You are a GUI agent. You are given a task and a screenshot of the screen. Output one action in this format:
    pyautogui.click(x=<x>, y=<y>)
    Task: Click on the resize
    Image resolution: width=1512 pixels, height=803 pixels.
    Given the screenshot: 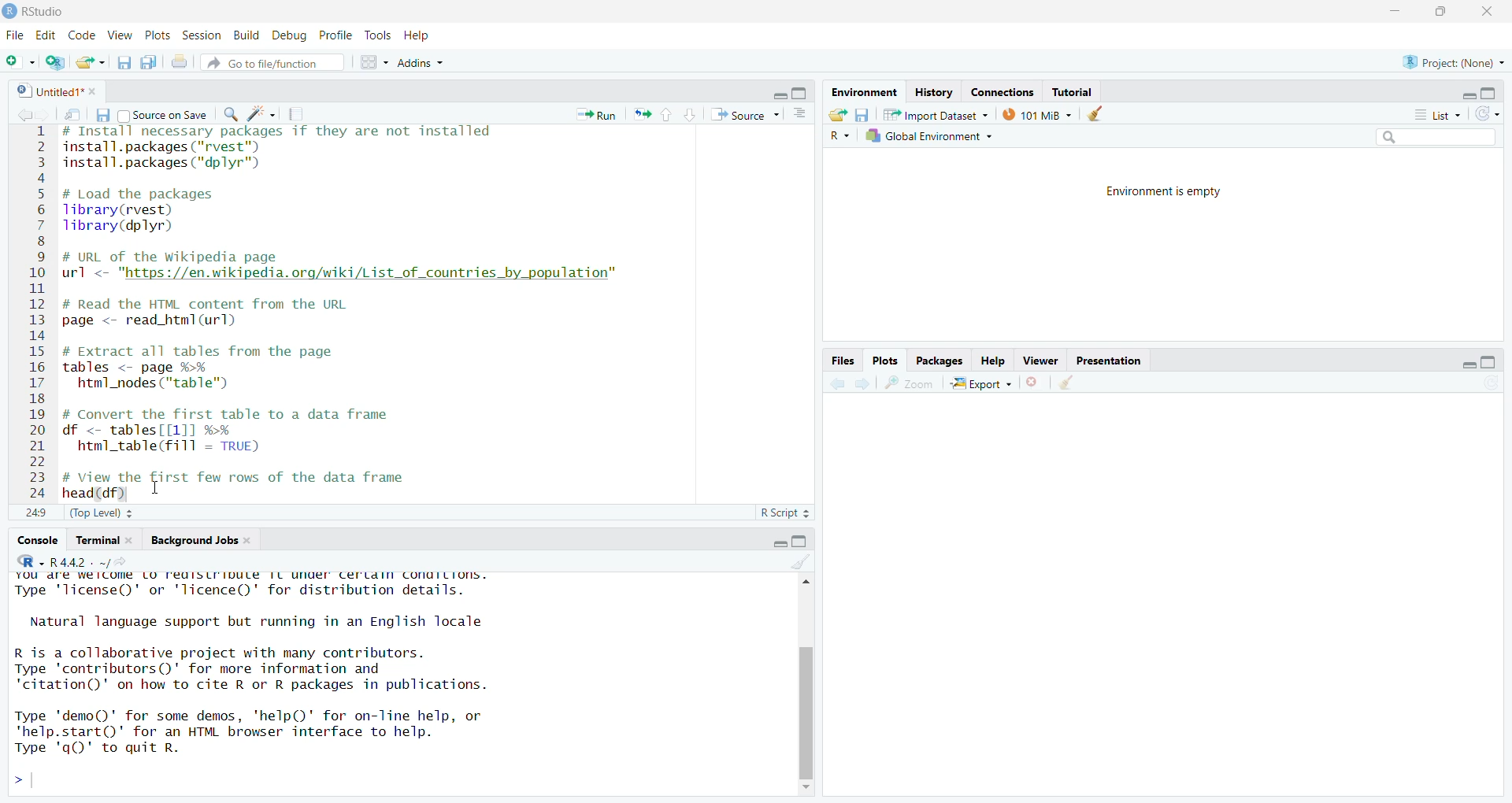 What is the action you would take?
    pyautogui.click(x=1440, y=12)
    